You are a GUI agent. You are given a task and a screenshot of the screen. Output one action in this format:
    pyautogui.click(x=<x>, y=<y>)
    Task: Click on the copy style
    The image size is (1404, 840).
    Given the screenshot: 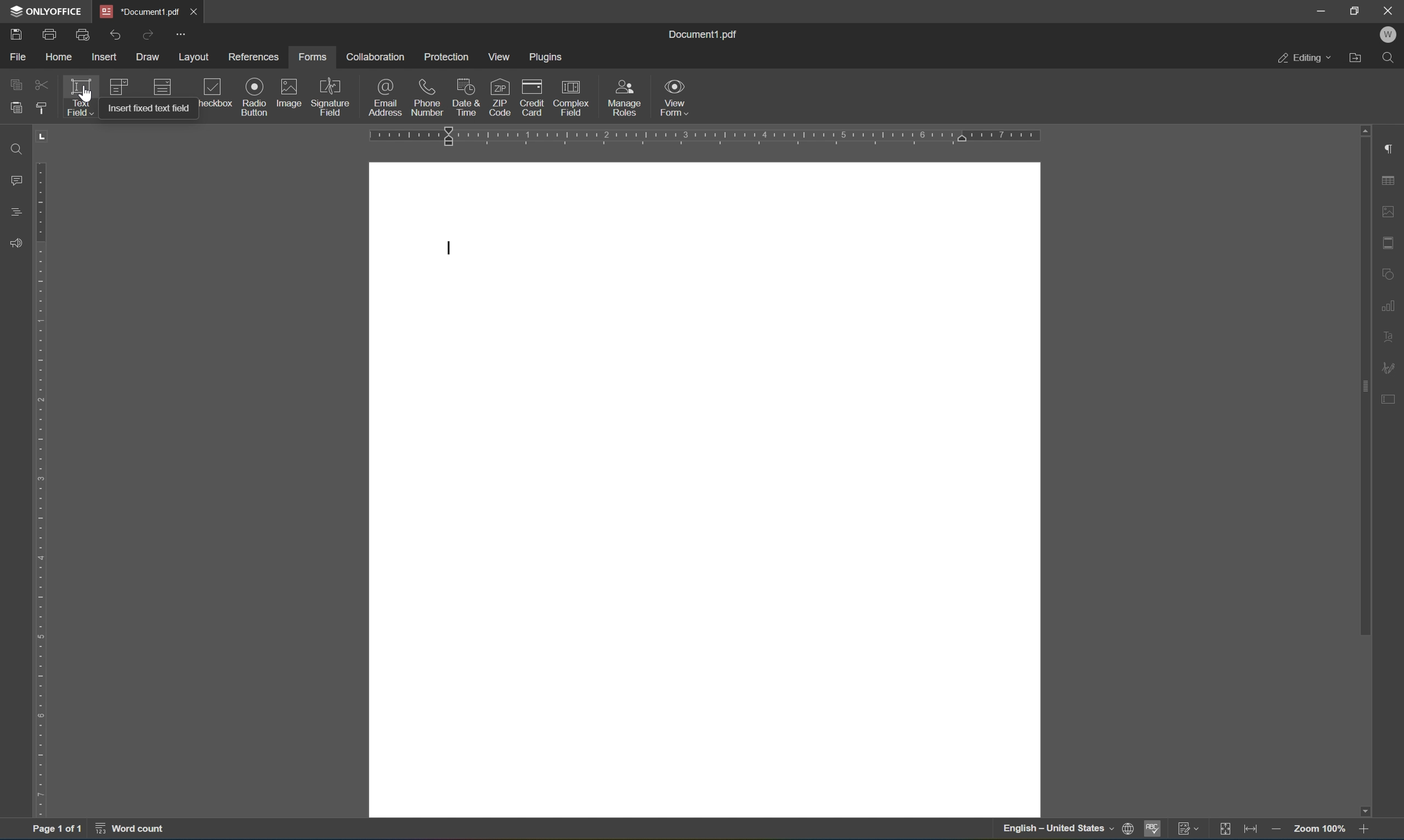 What is the action you would take?
    pyautogui.click(x=40, y=108)
    